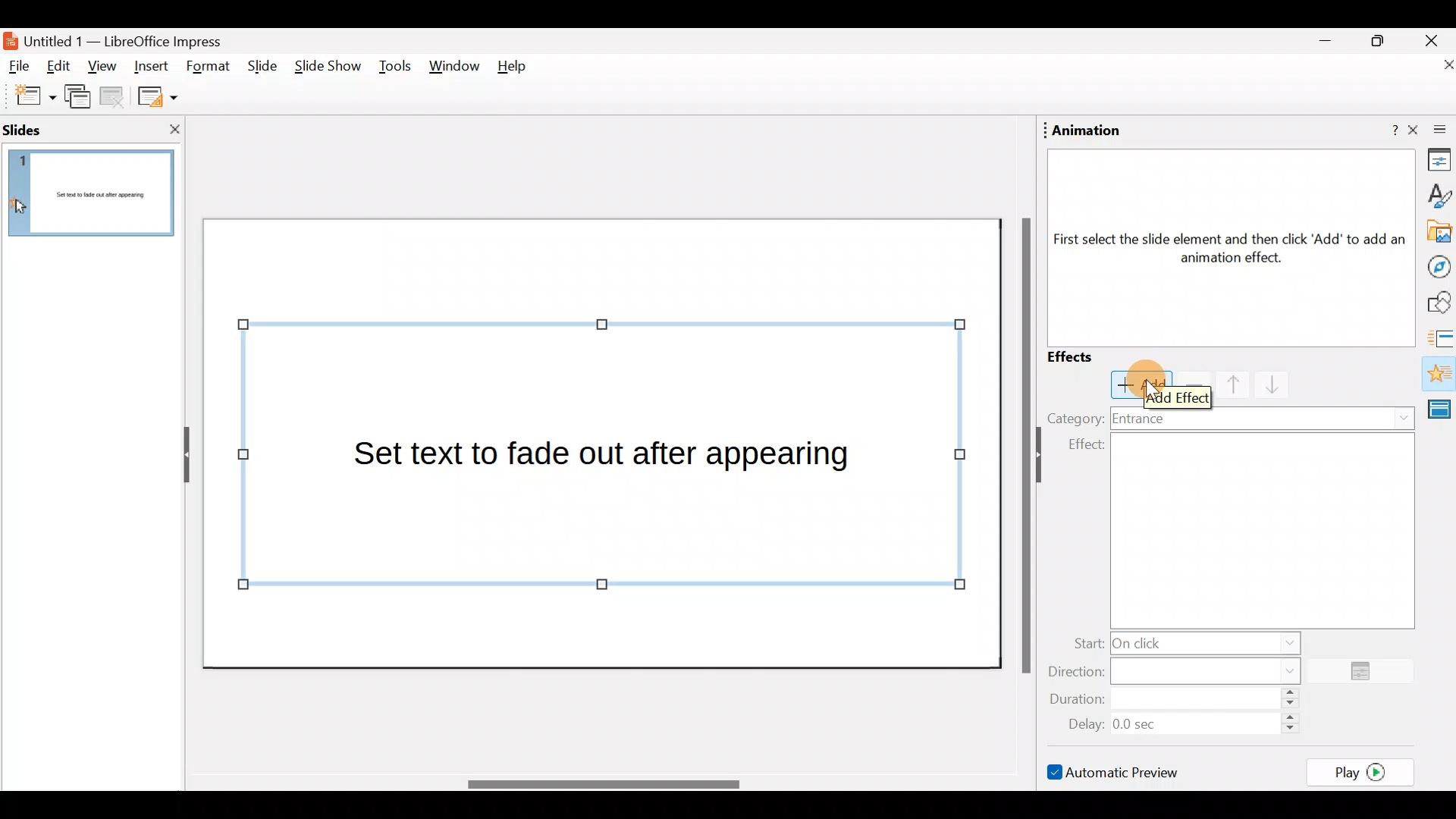 The width and height of the screenshot is (1456, 819). Describe the element at coordinates (1179, 722) in the screenshot. I see `Delay` at that location.